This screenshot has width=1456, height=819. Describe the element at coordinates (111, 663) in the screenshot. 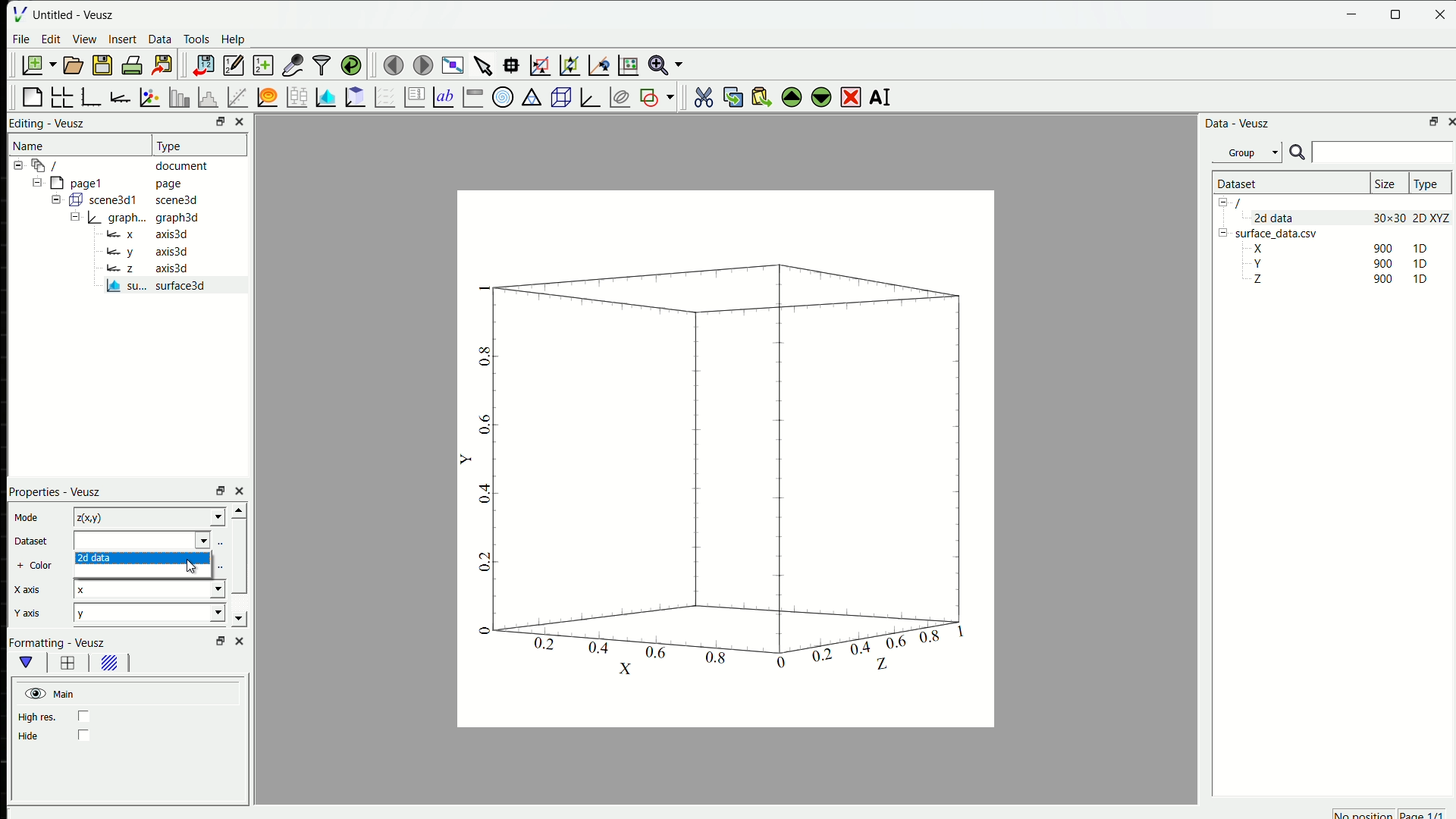

I see `background` at that location.